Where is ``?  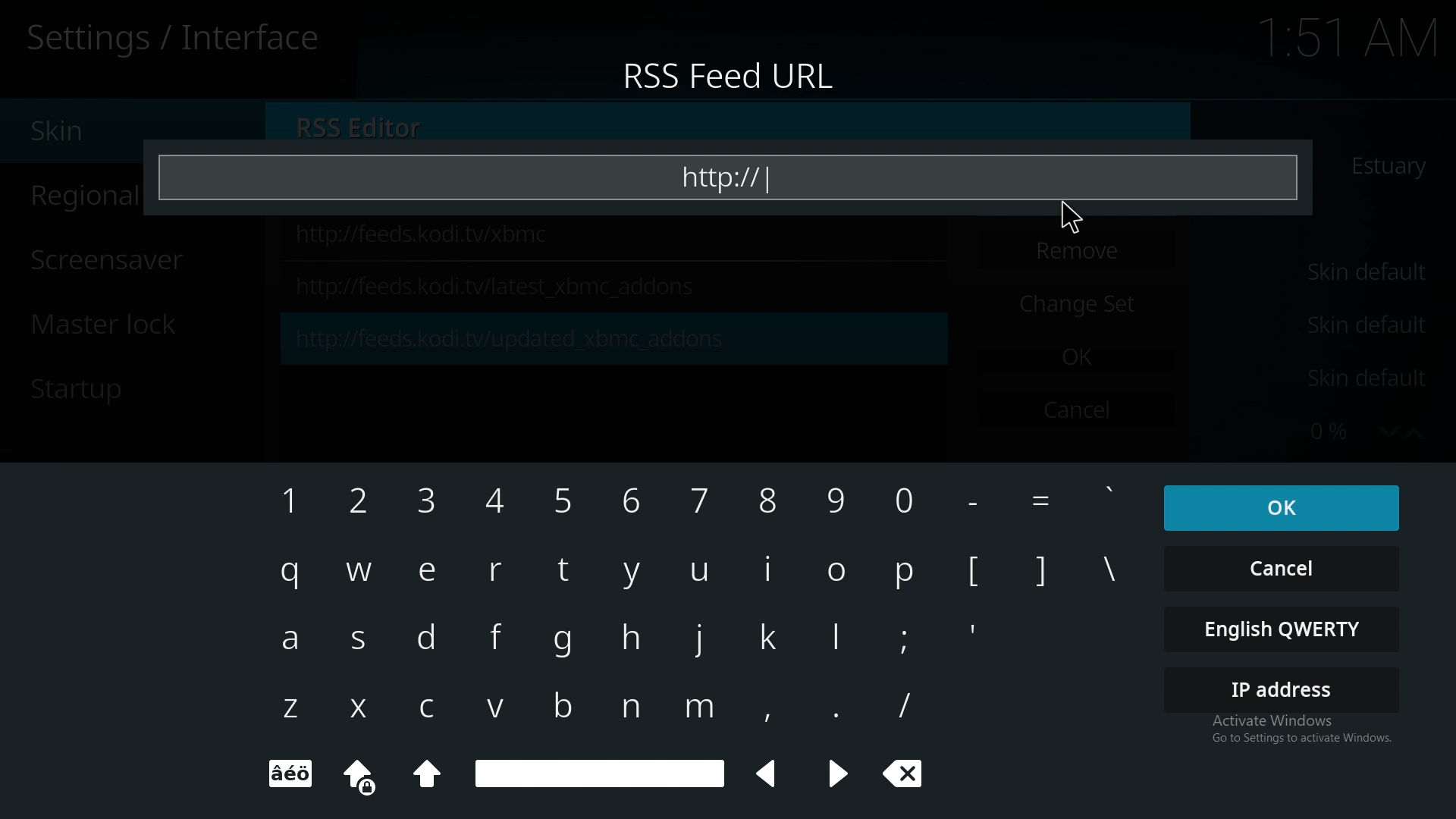
 is located at coordinates (1050, 502).